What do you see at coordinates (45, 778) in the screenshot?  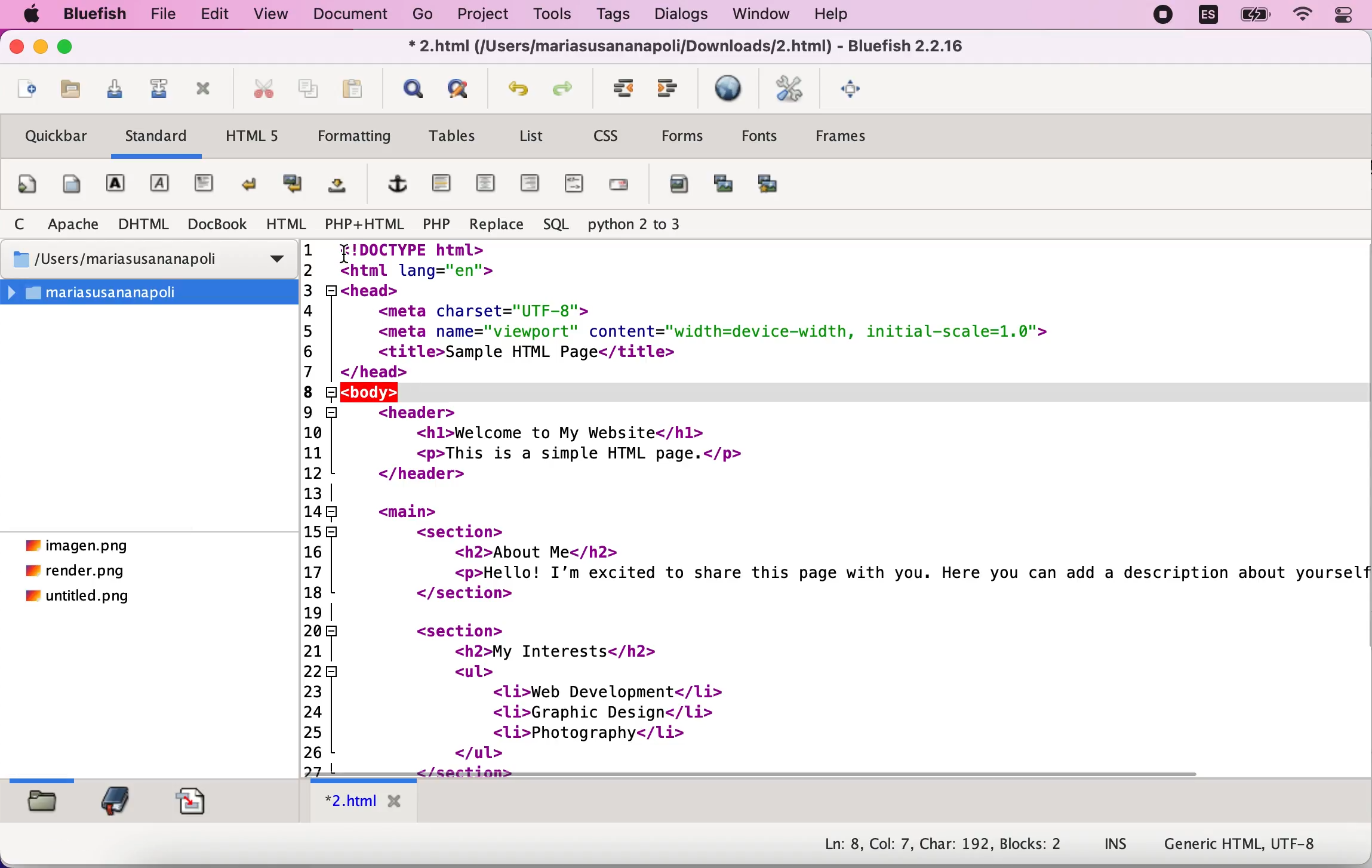 I see `slider` at bounding box center [45, 778].